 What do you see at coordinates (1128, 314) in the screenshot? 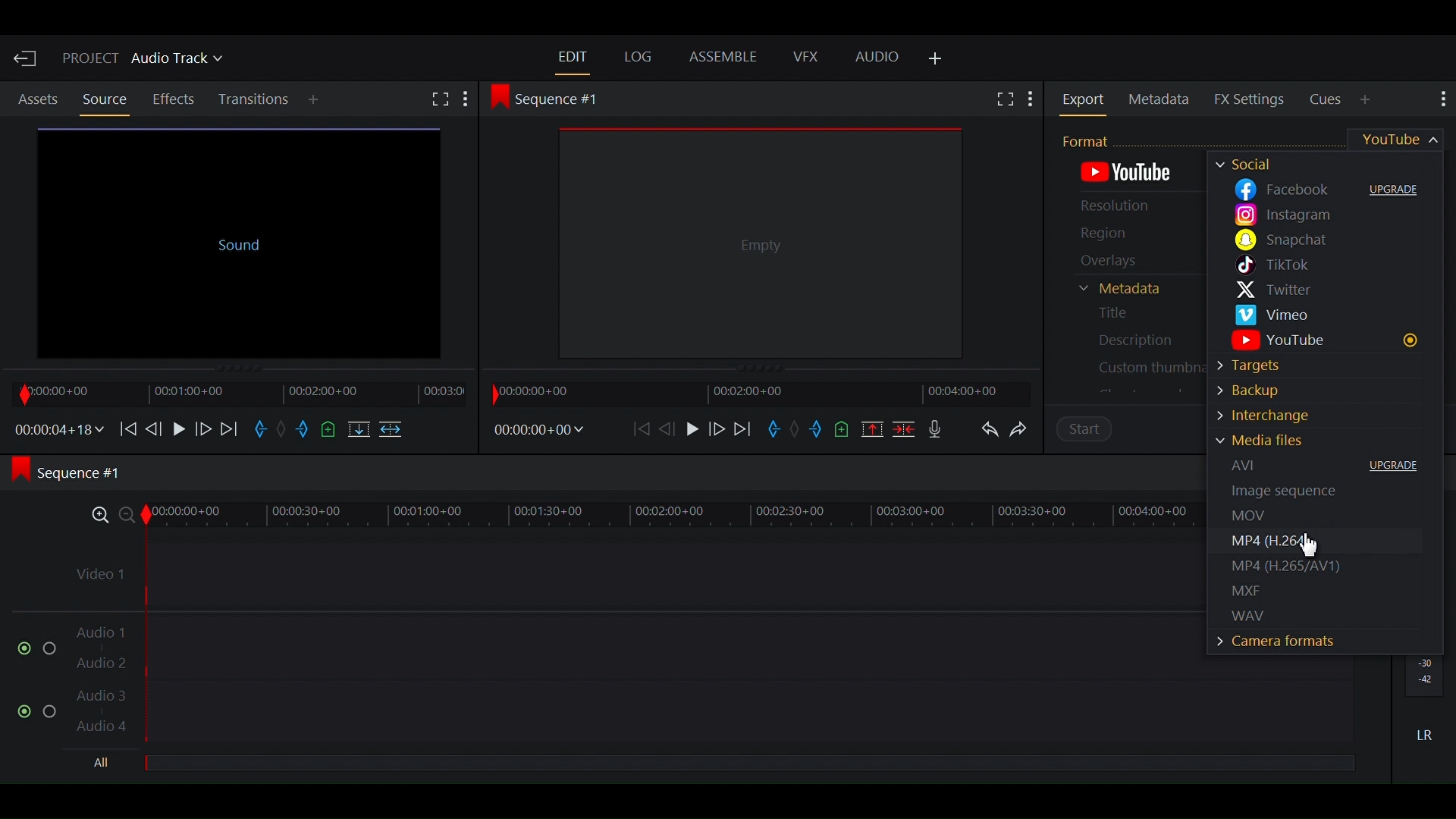
I see `Title` at bounding box center [1128, 314].